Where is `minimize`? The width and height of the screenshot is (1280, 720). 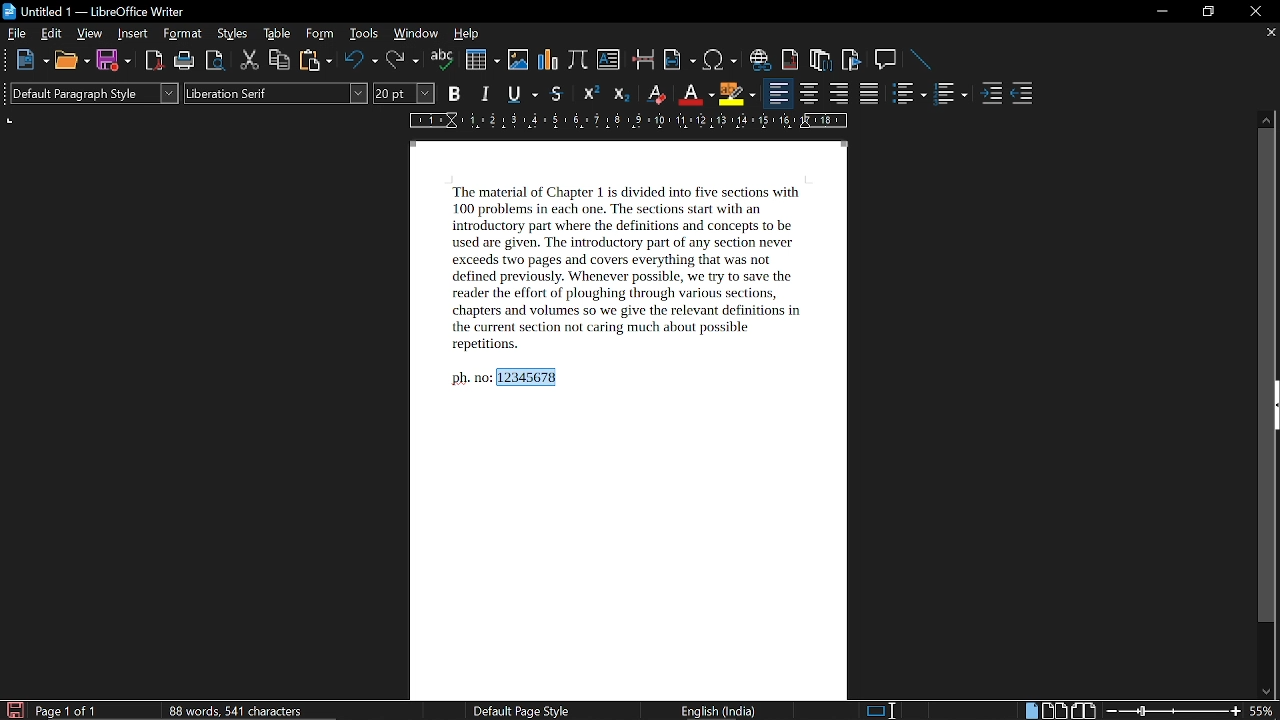
minimize is located at coordinates (1162, 12).